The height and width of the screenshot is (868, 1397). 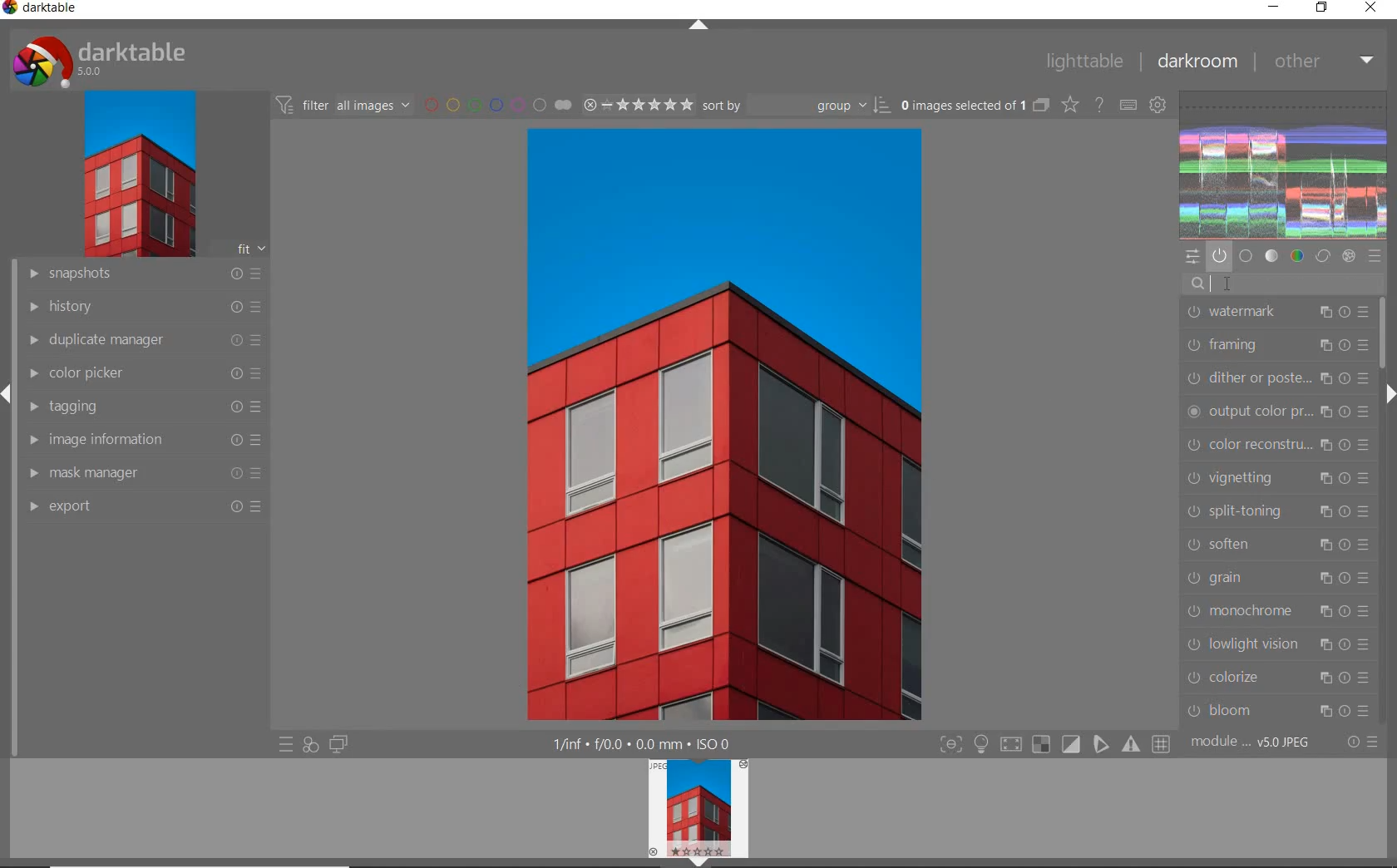 I want to click on enable for online help, so click(x=1099, y=104).